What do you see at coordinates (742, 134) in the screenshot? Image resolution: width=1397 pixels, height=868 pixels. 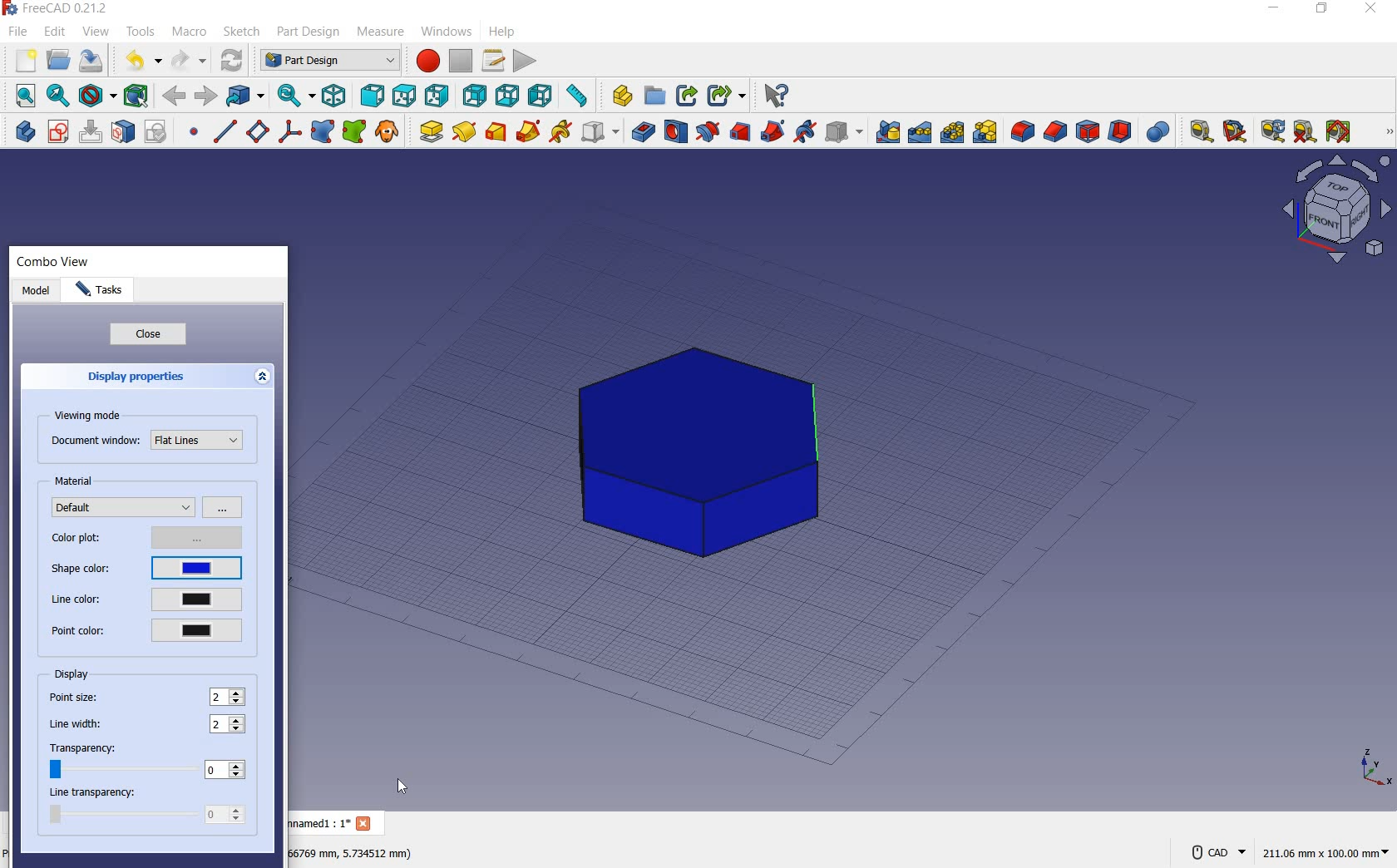 I see `subtractive loft` at bounding box center [742, 134].